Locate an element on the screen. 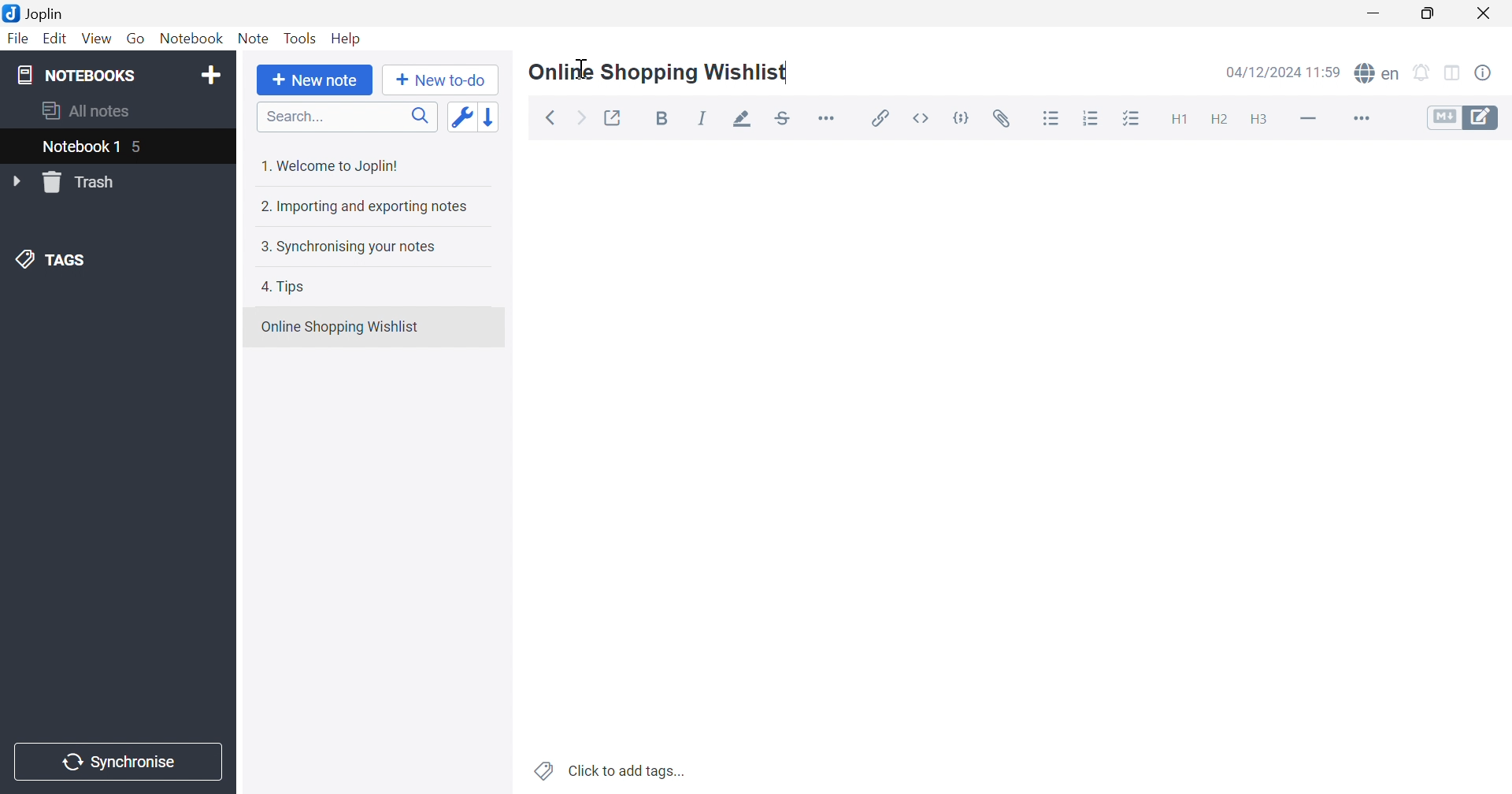  New to-do is located at coordinates (441, 80).